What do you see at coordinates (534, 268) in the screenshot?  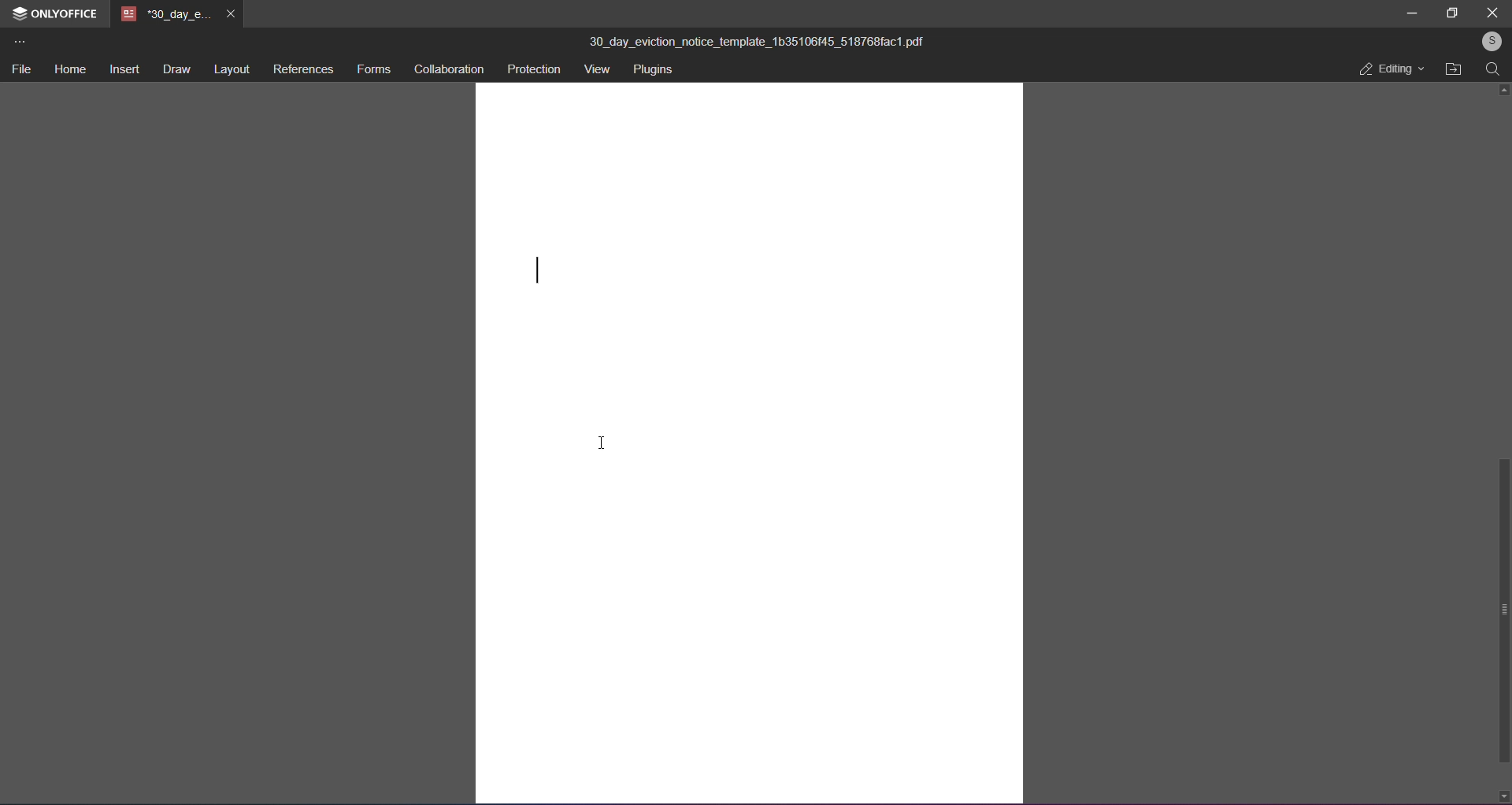 I see `start writing` at bounding box center [534, 268].